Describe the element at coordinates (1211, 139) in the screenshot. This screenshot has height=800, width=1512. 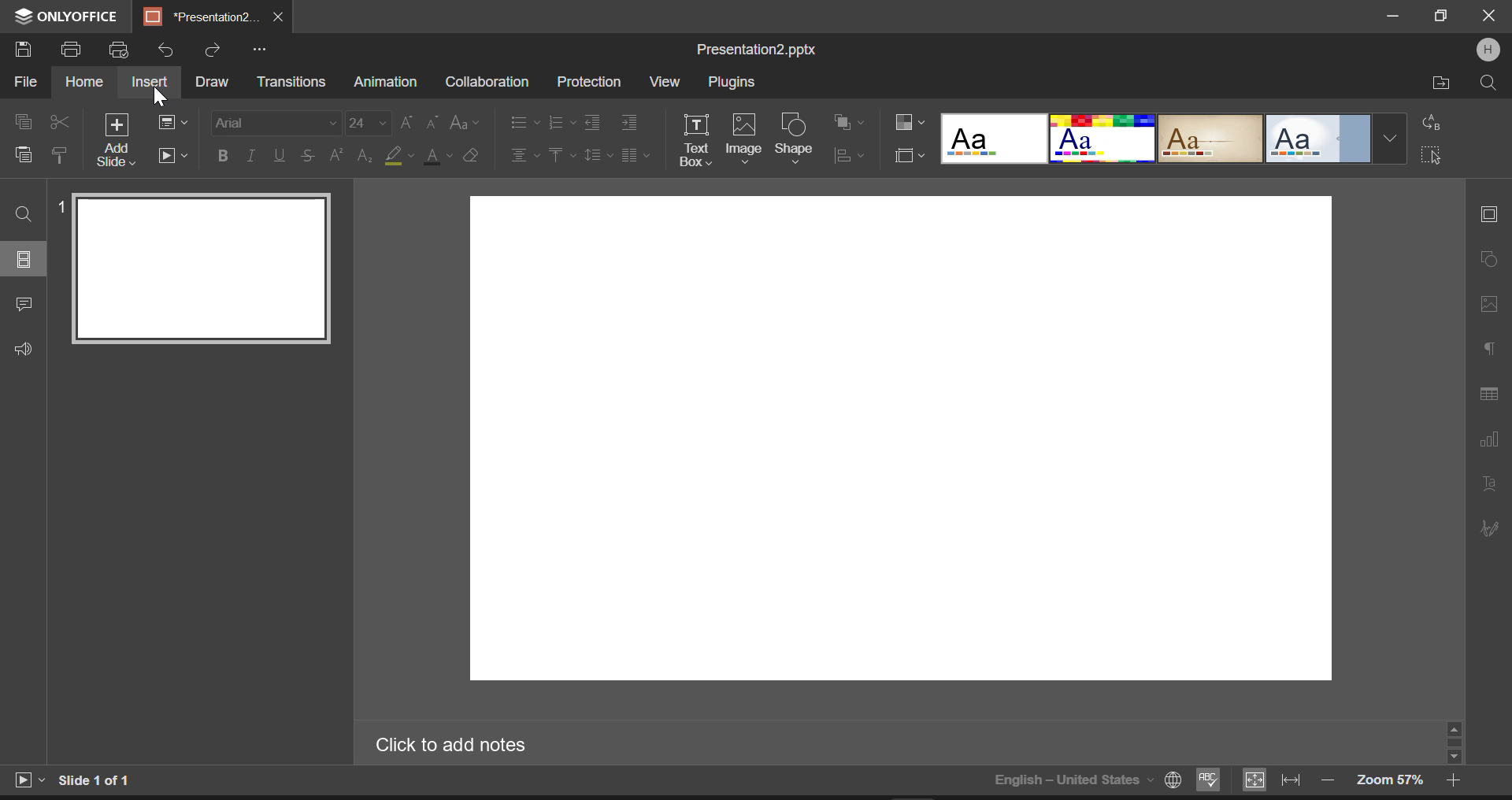
I see `Classic` at that location.